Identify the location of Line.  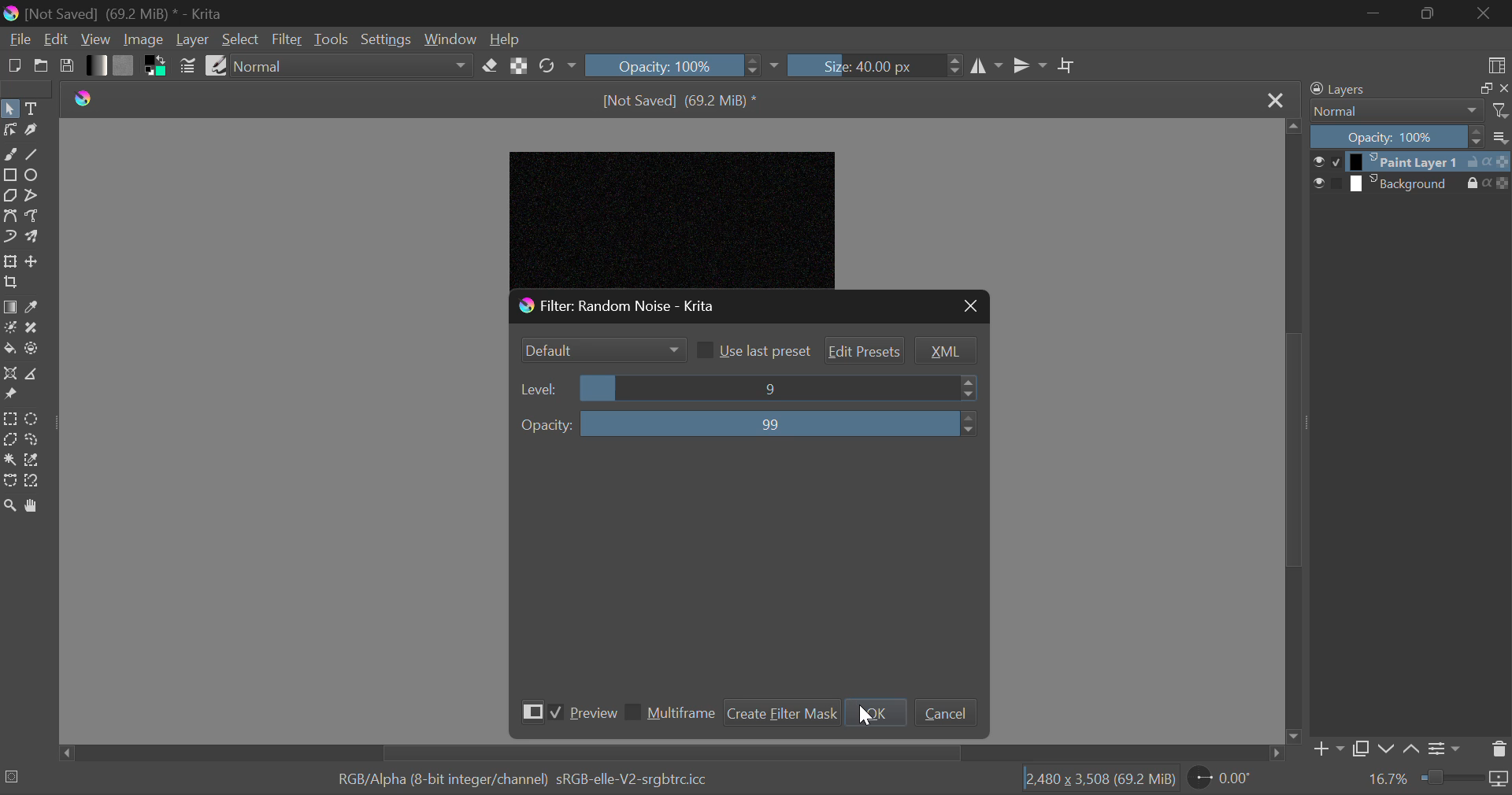
(33, 156).